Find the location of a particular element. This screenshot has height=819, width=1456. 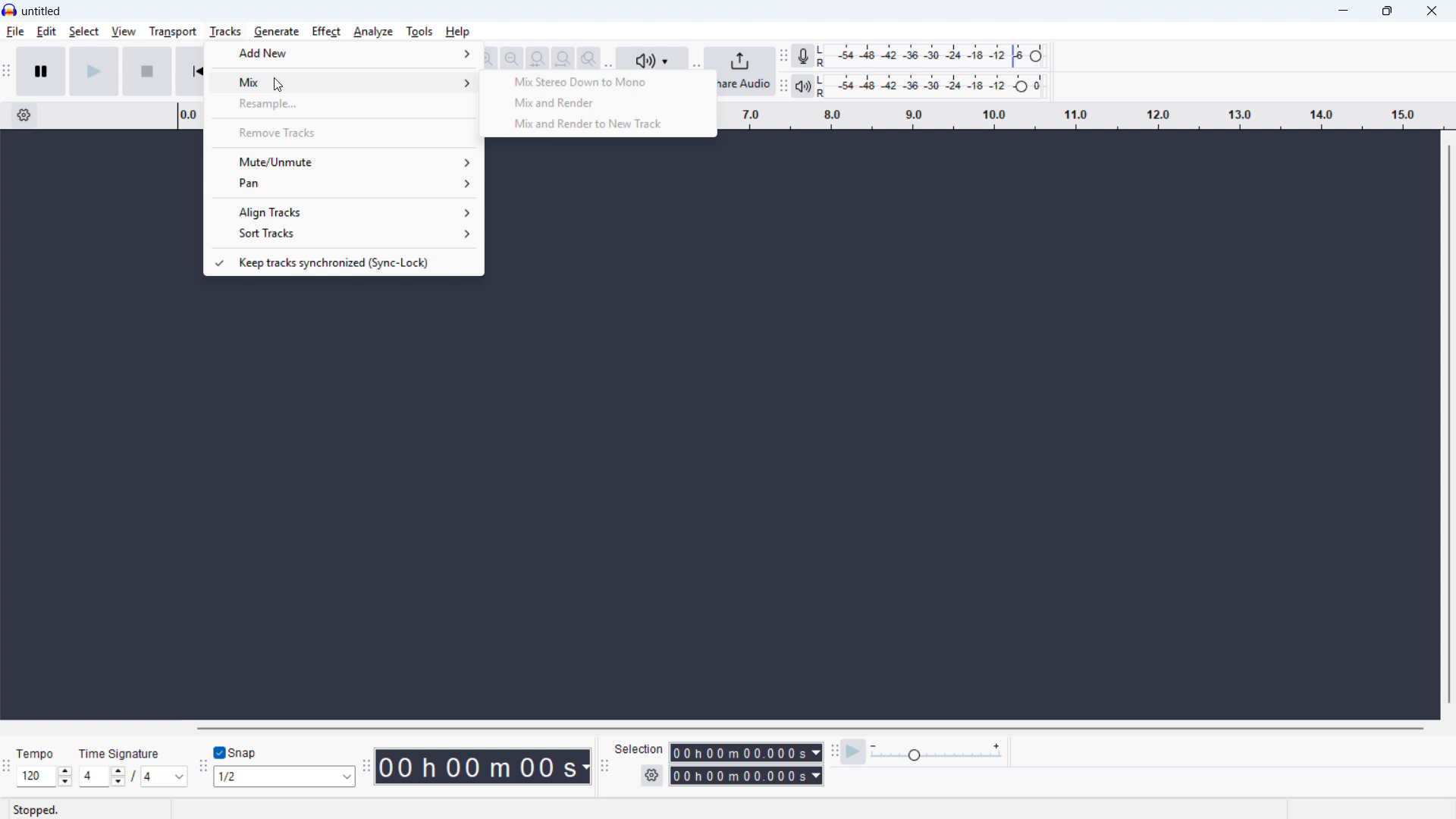

Logo  is located at coordinates (10, 11).